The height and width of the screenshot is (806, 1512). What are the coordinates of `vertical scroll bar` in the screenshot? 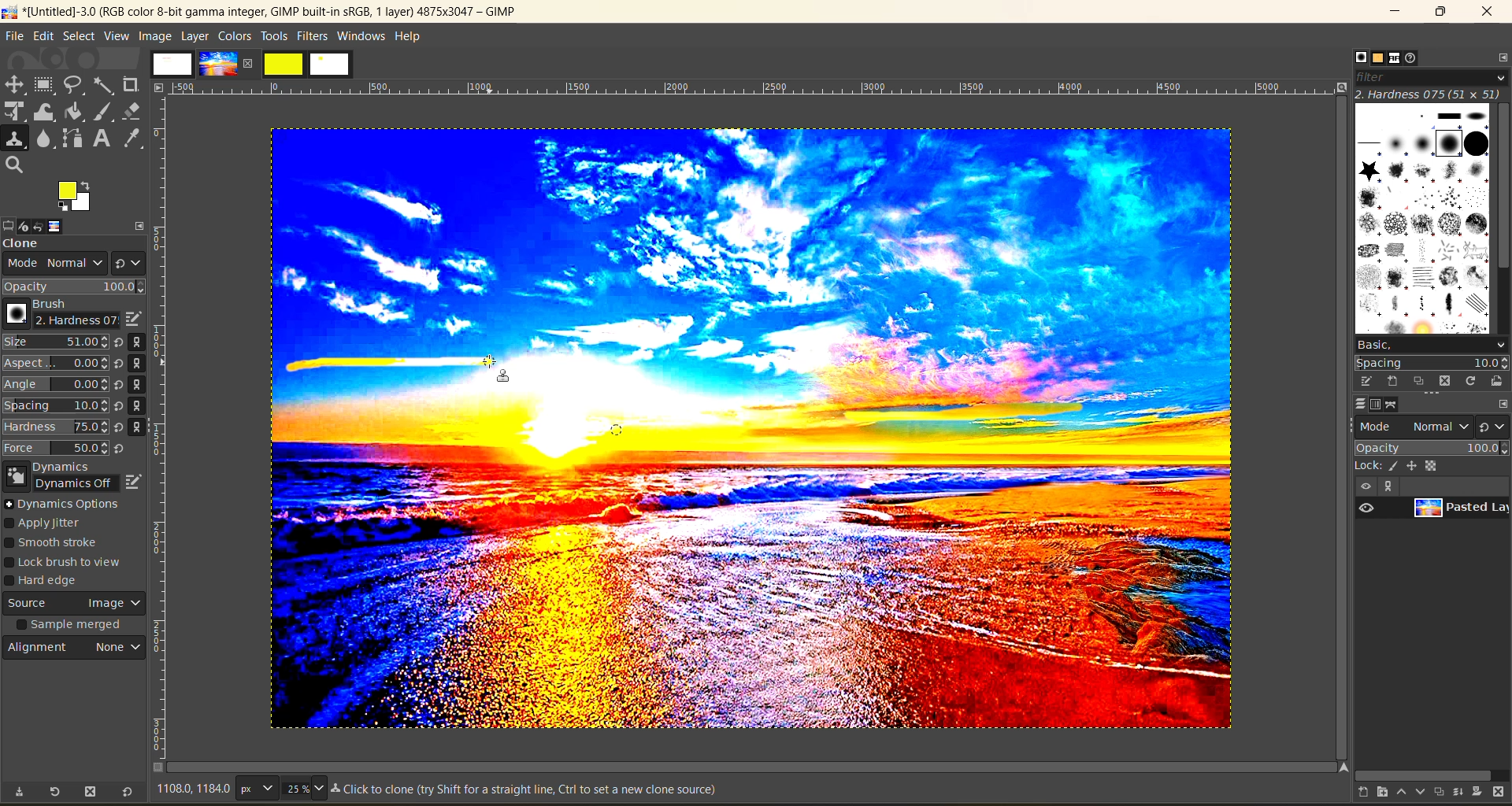 It's located at (1503, 188).